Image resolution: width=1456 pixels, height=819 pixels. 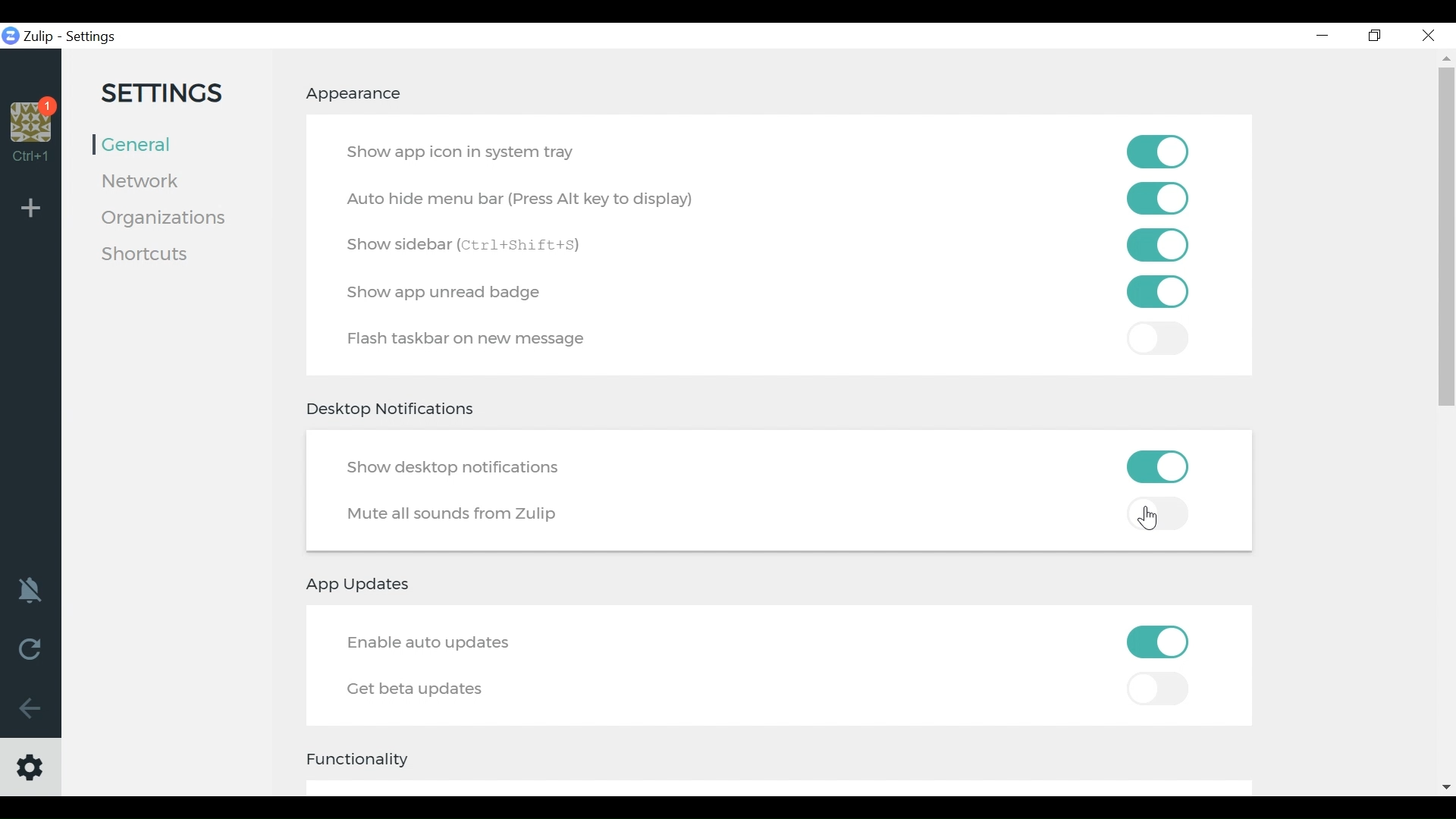 What do you see at coordinates (1160, 341) in the screenshot?
I see `toggle` at bounding box center [1160, 341].